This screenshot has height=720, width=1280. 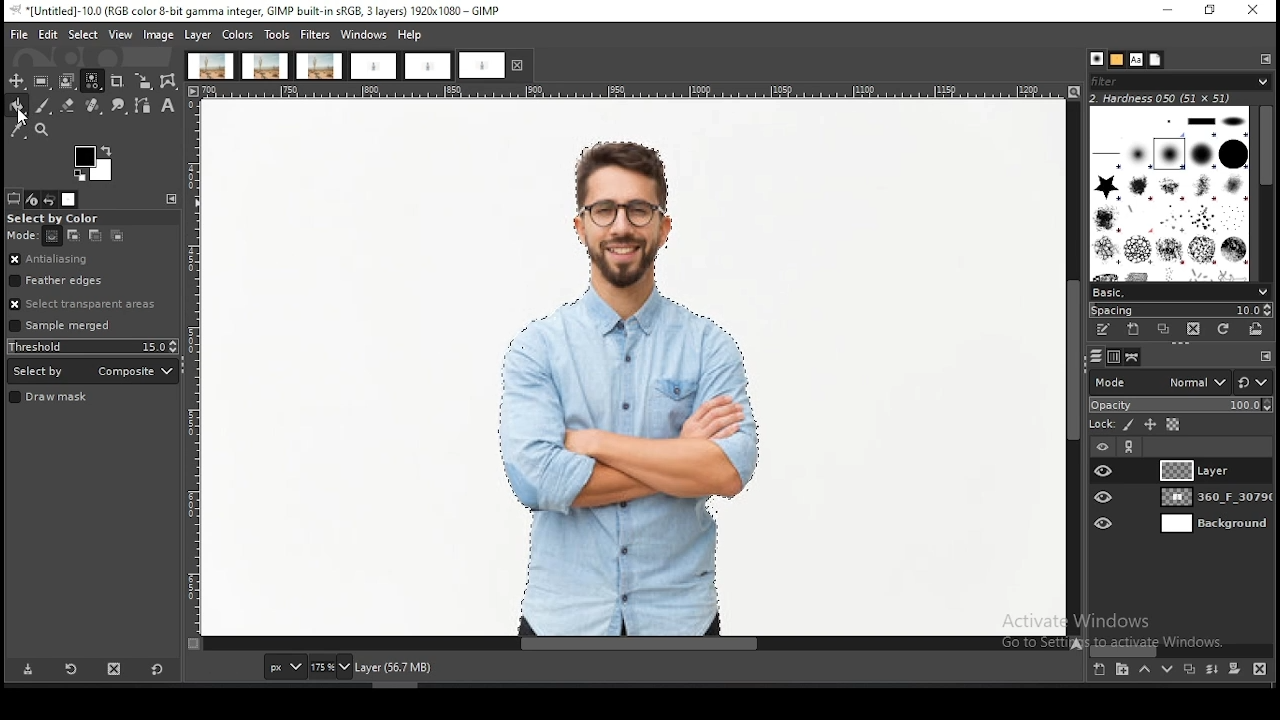 I want to click on delete brush, so click(x=1194, y=330).